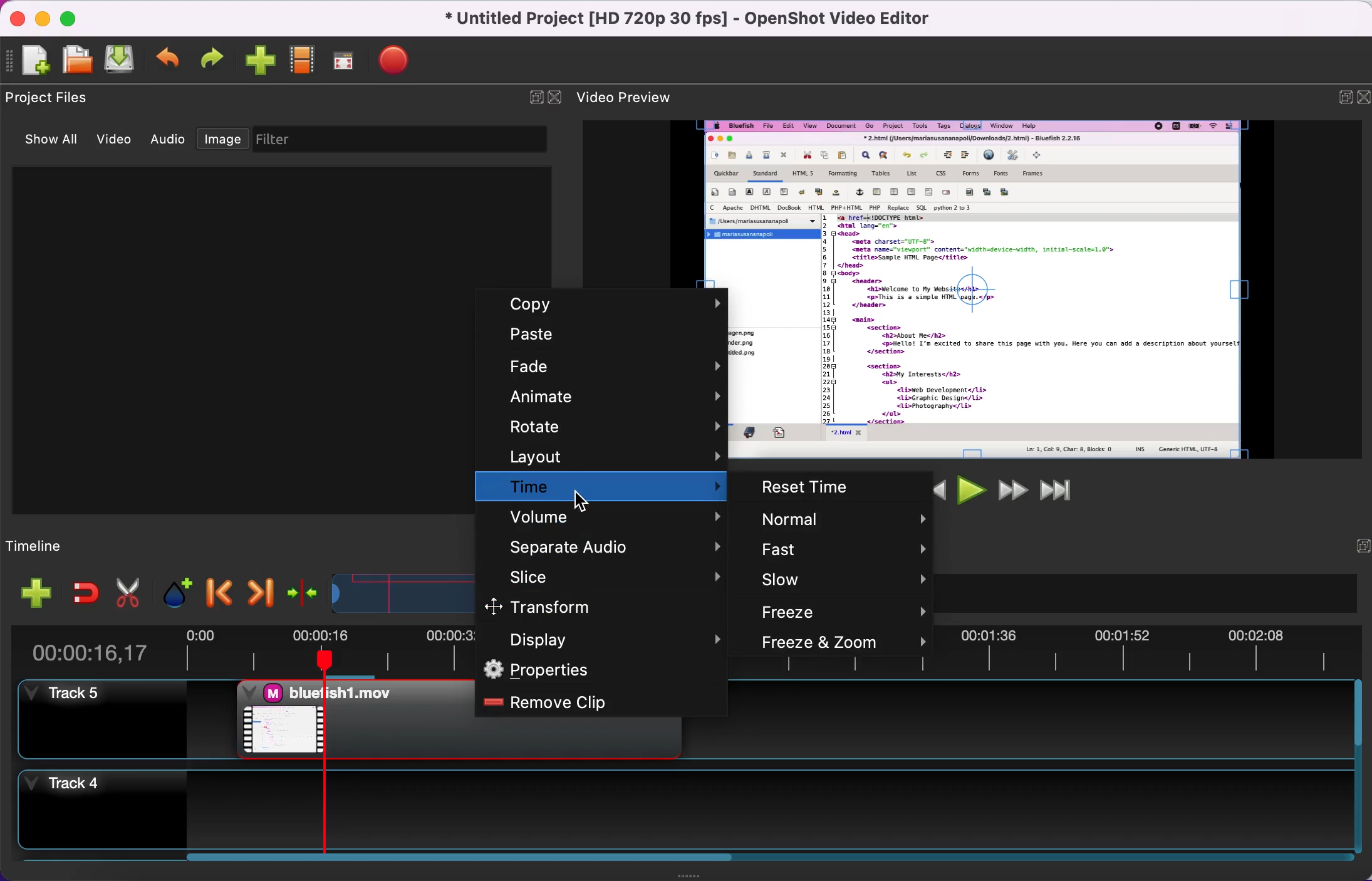  I want to click on video clip, so click(467, 859).